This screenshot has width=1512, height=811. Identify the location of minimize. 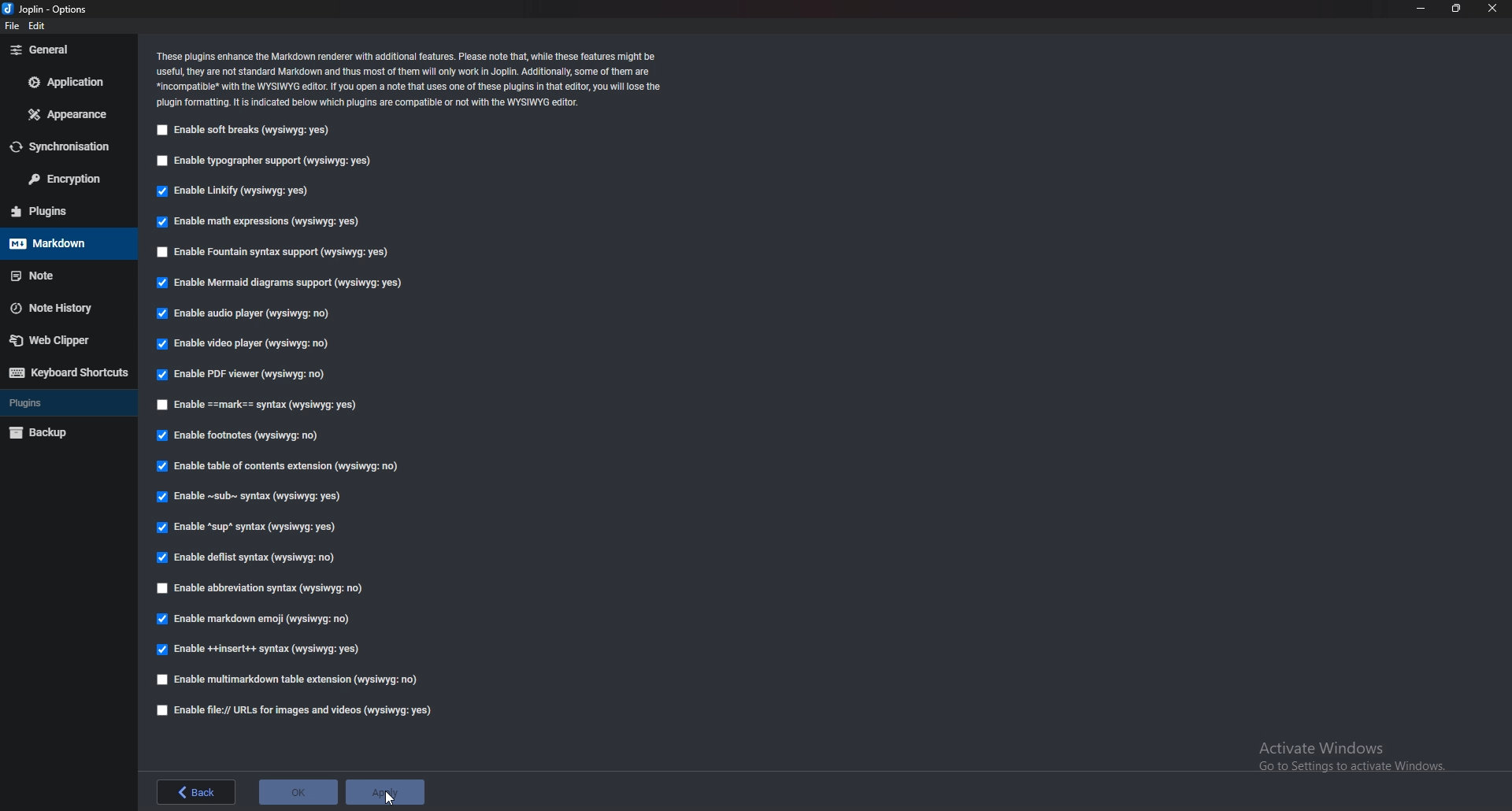
(1421, 8).